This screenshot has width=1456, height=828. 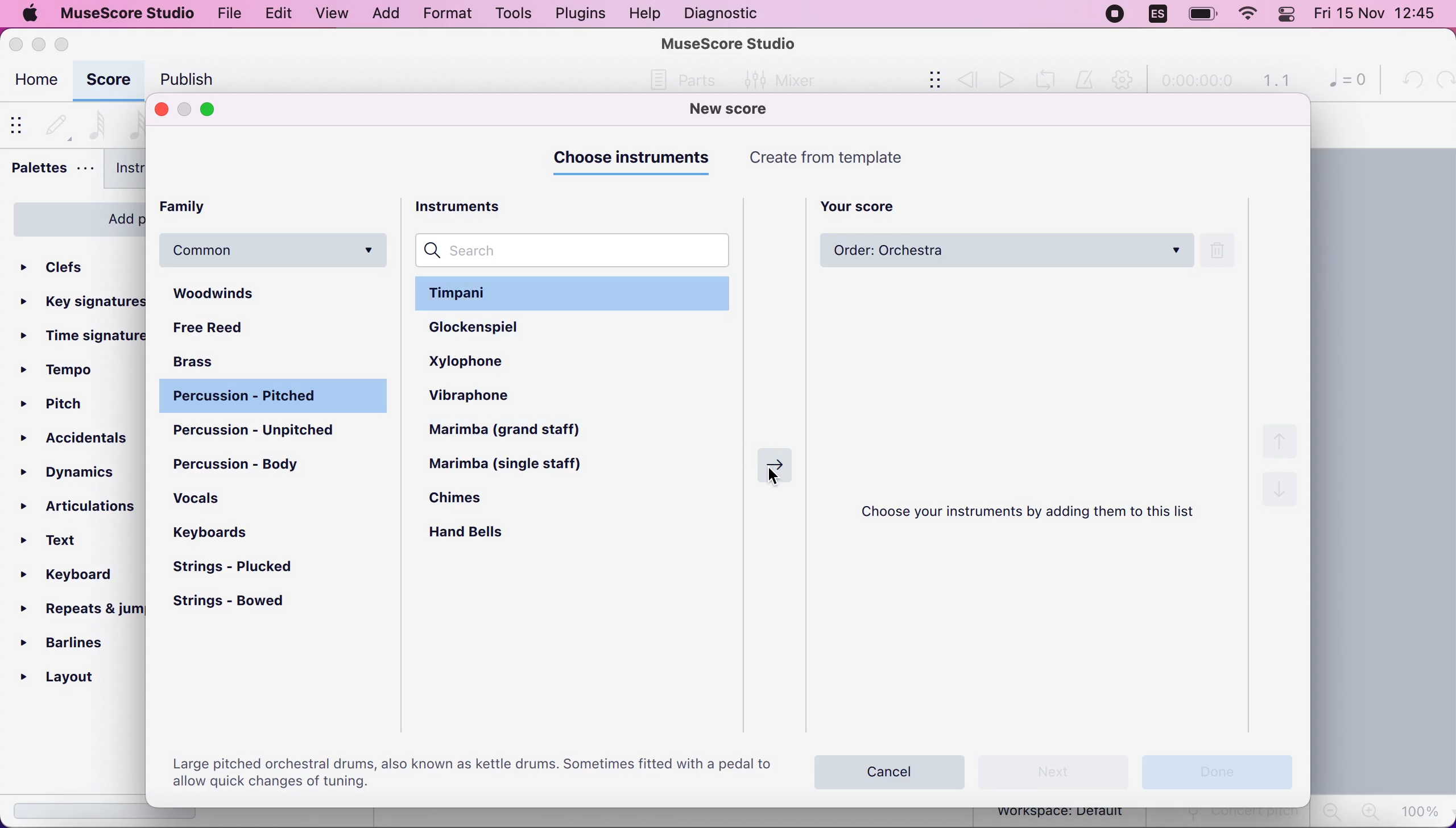 What do you see at coordinates (1114, 14) in the screenshot?
I see `recording stopped` at bounding box center [1114, 14].